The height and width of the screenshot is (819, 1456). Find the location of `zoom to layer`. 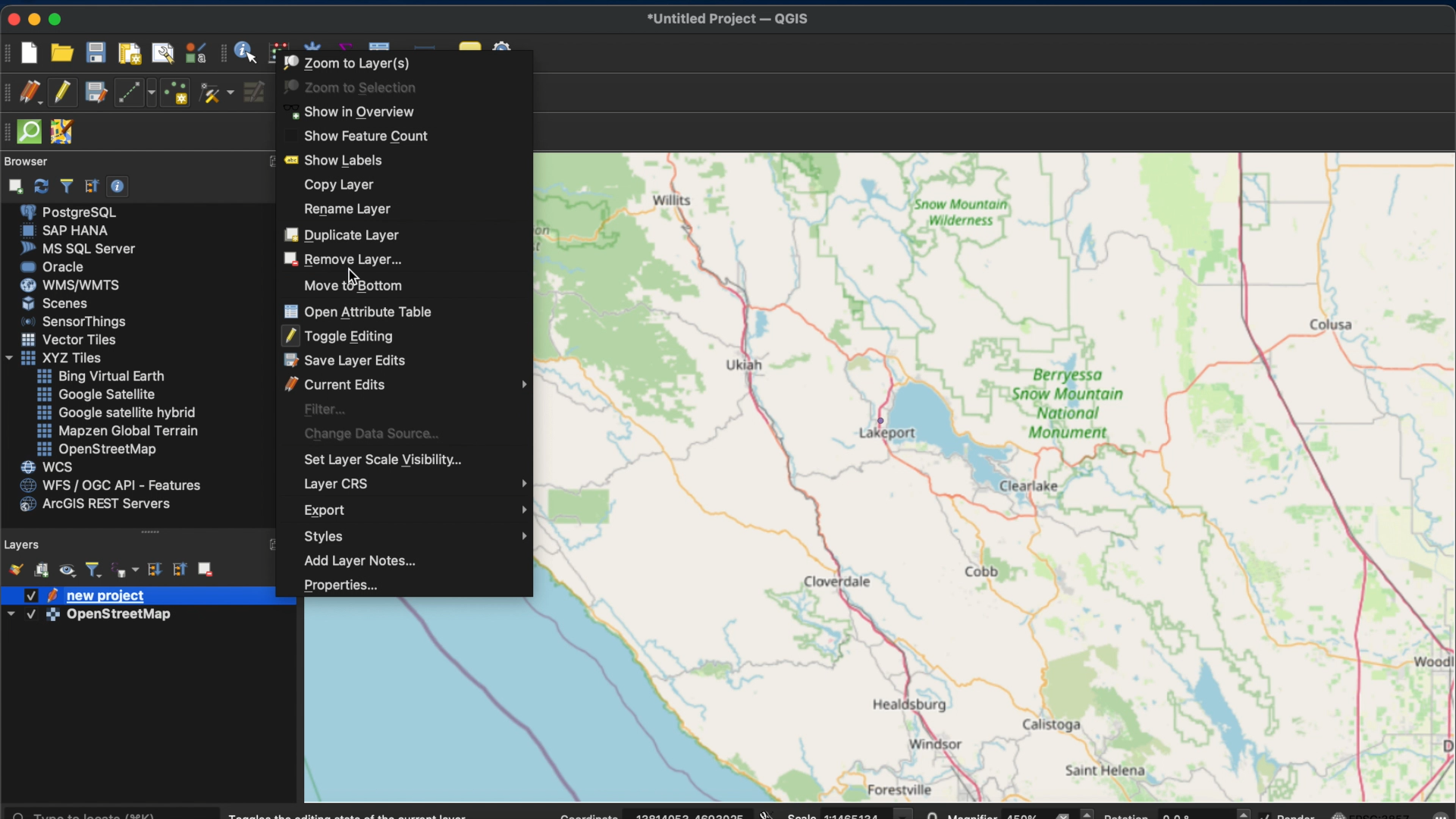

zoom to layer is located at coordinates (347, 61).